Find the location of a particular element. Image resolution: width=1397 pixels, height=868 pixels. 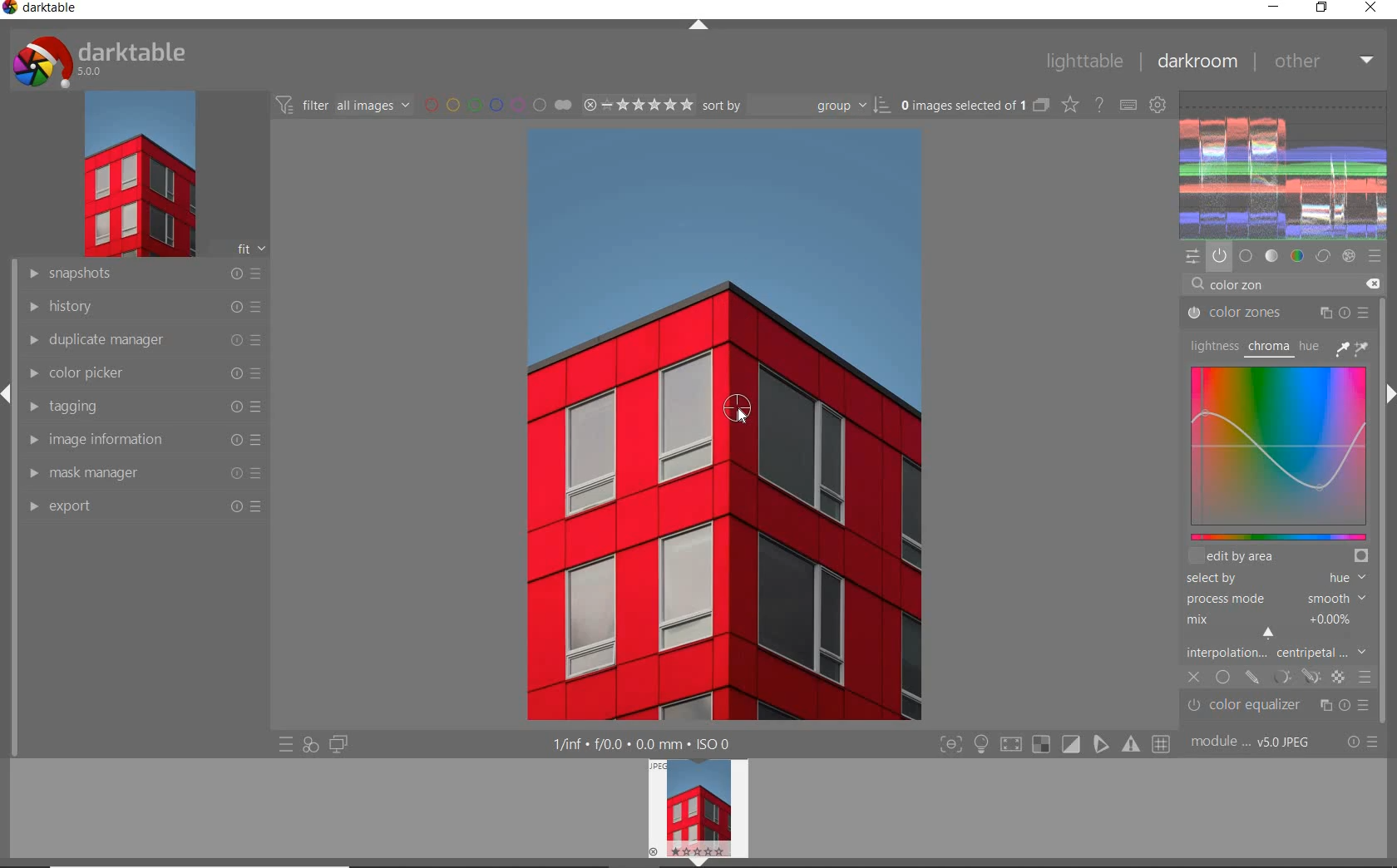

other is located at coordinates (1324, 60).